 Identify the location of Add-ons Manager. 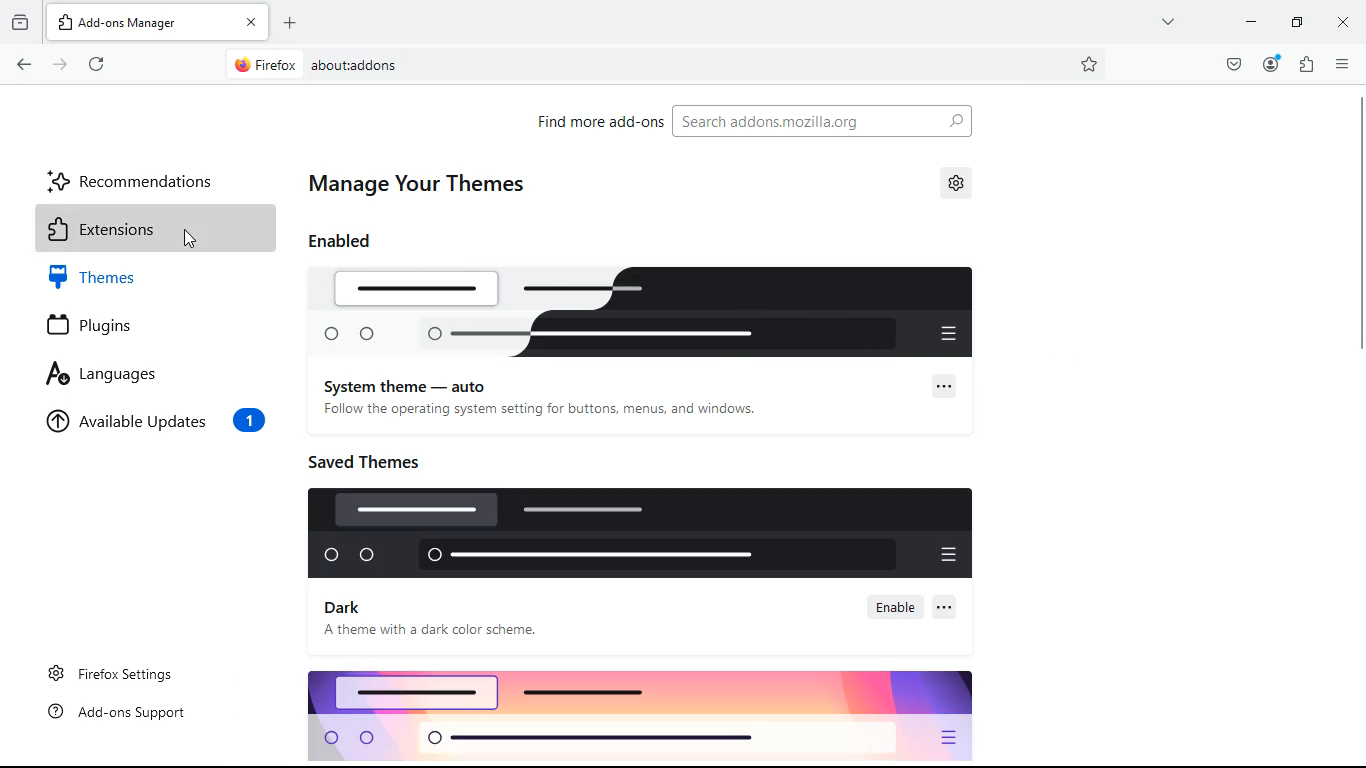
(141, 22).